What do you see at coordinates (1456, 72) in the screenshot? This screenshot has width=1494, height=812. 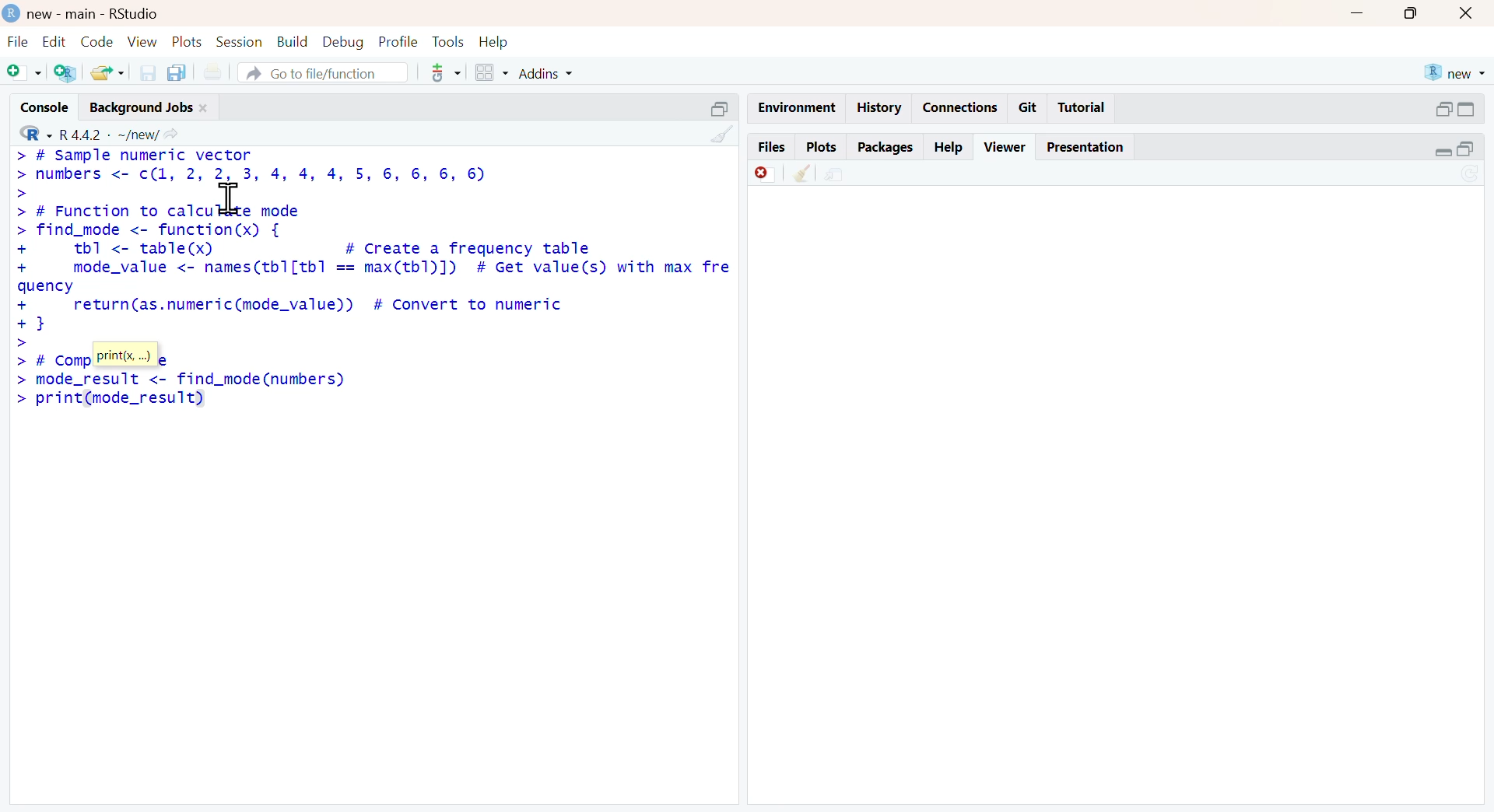 I see `new` at bounding box center [1456, 72].